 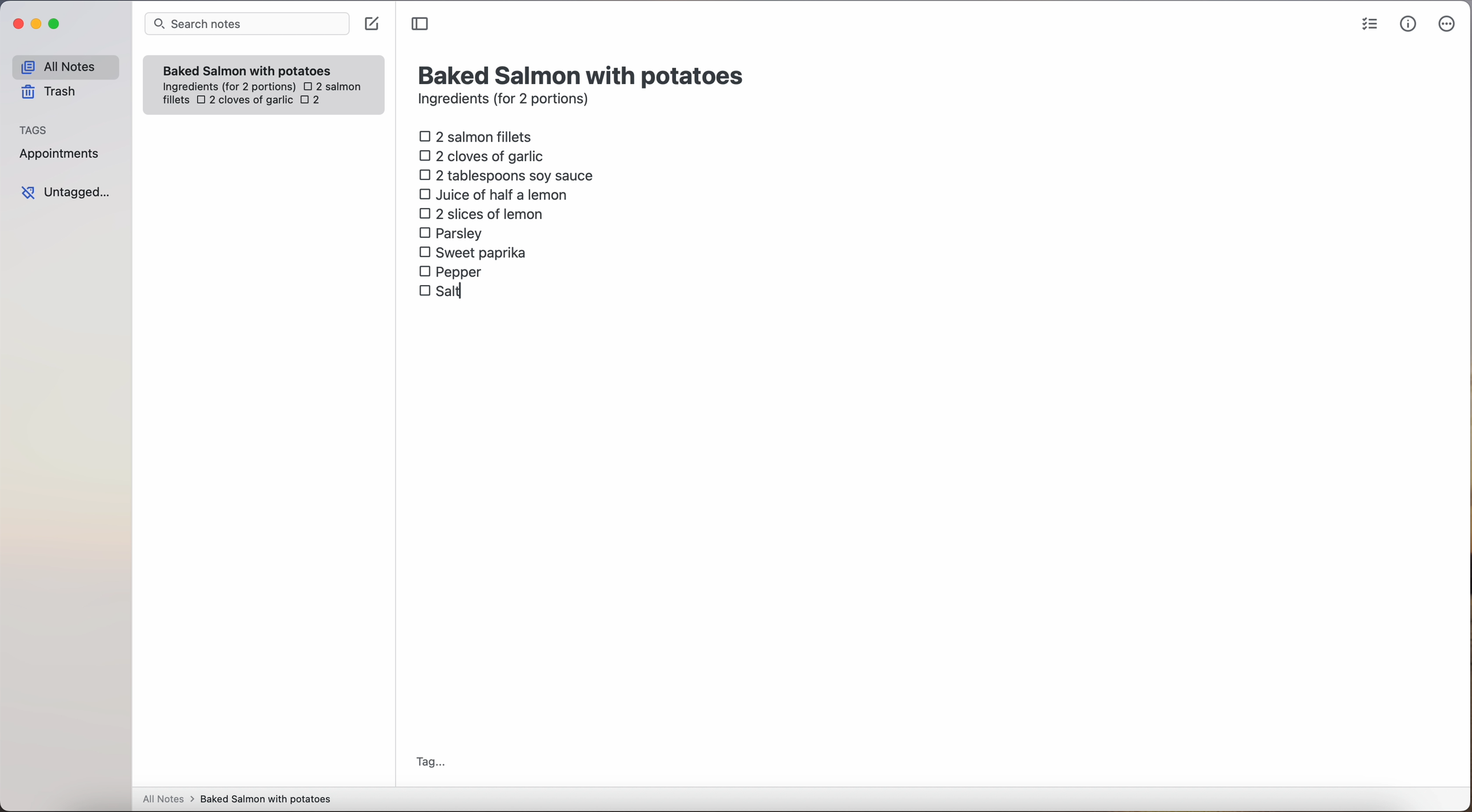 I want to click on juice of half a lemon, so click(x=497, y=194).